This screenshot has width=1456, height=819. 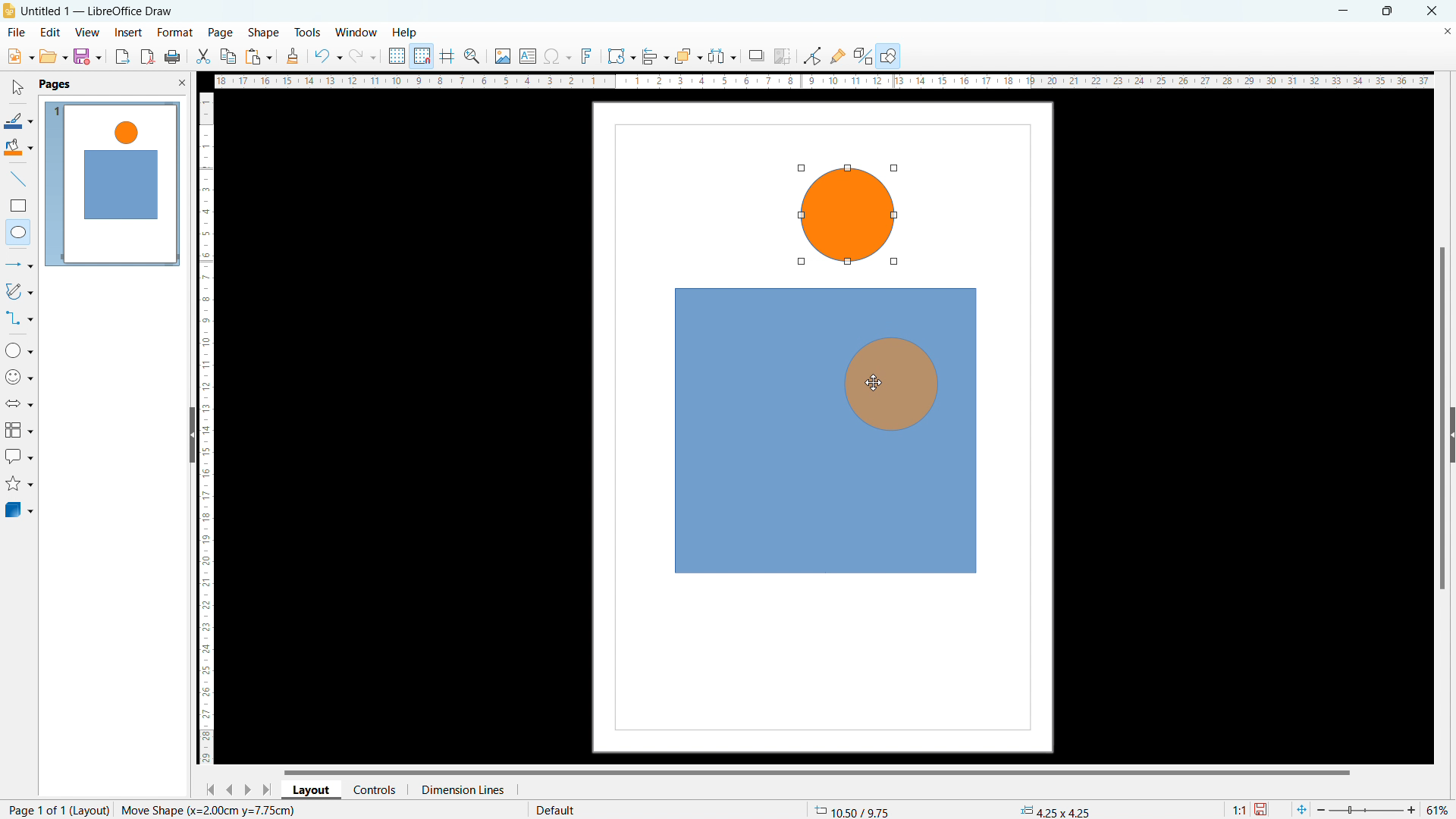 What do you see at coordinates (147, 57) in the screenshot?
I see `export directly as pdf` at bounding box center [147, 57].